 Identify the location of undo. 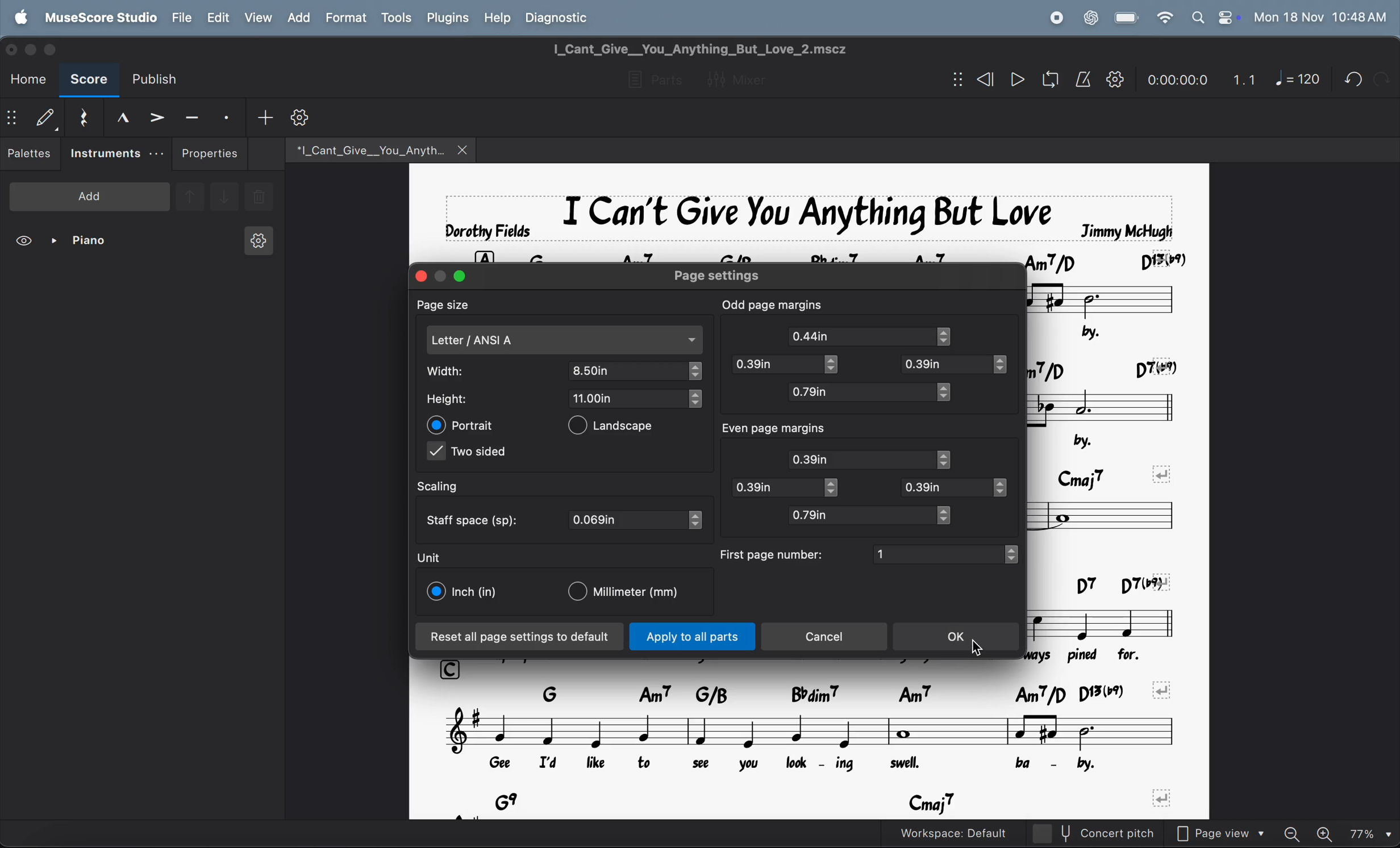
(1381, 78).